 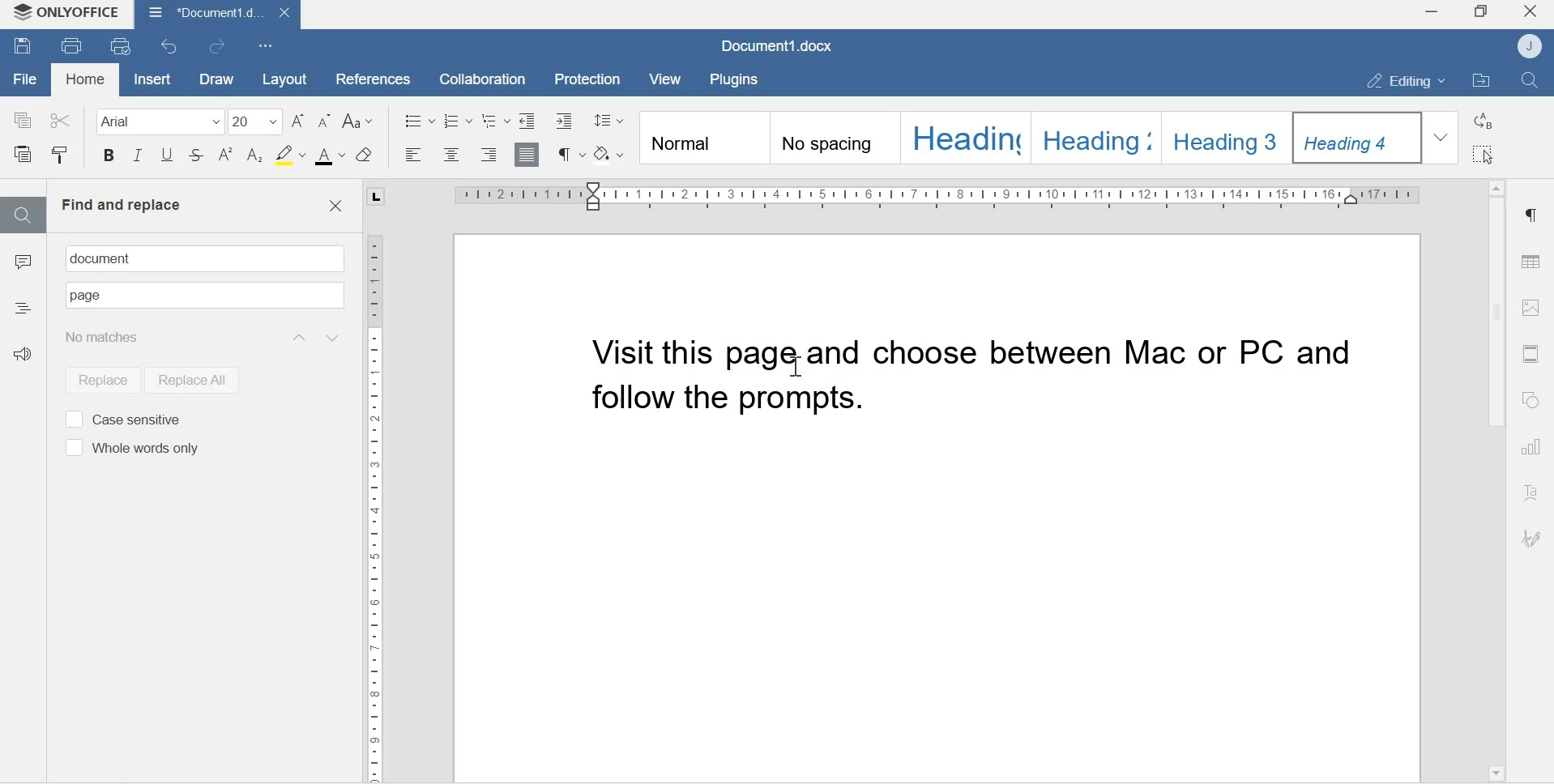 I want to click on No spacing, so click(x=835, y=140).